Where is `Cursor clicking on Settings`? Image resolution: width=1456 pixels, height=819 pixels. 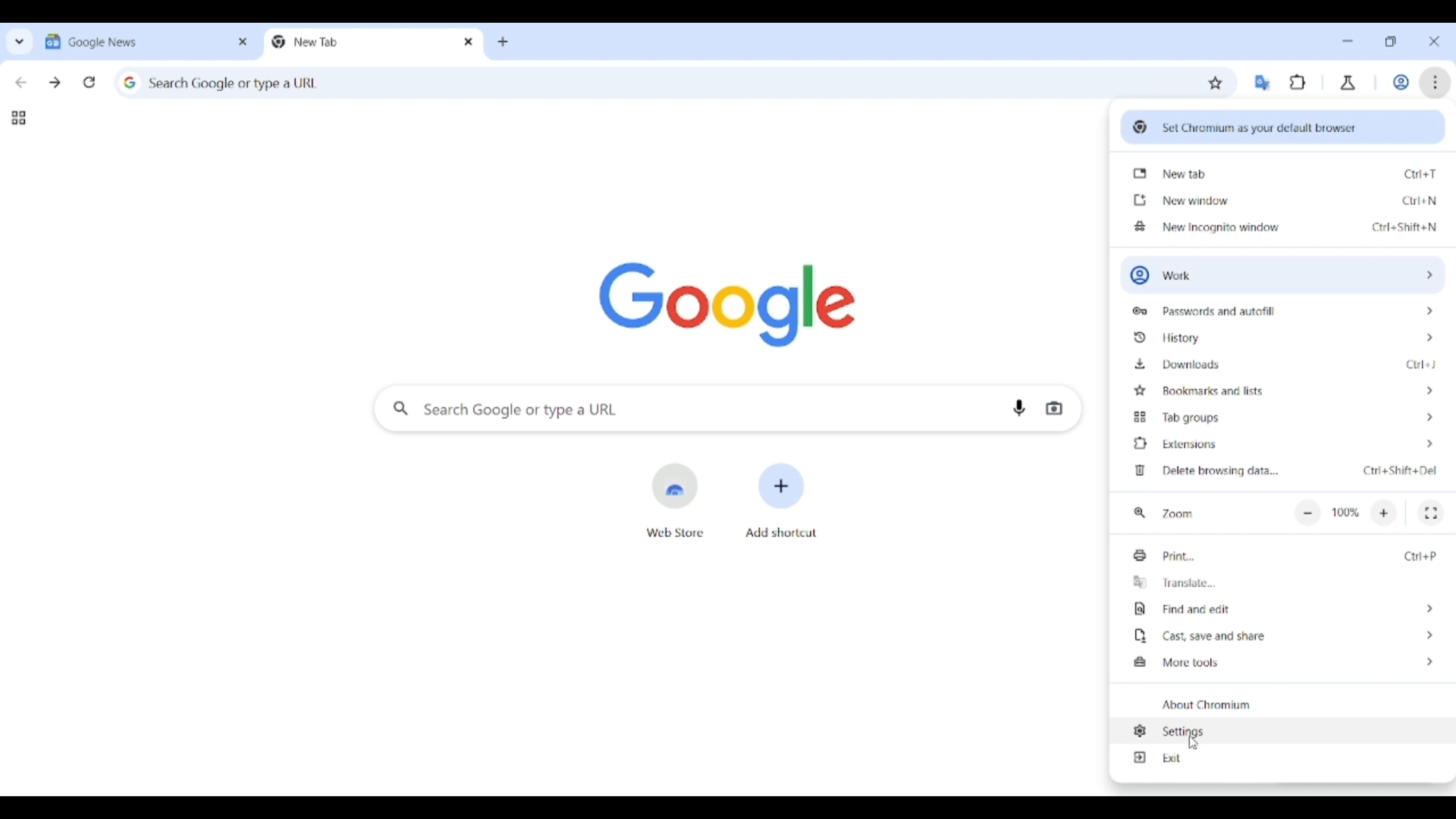 Cursor clicking on Settings is located at coordinates (1194, 744).